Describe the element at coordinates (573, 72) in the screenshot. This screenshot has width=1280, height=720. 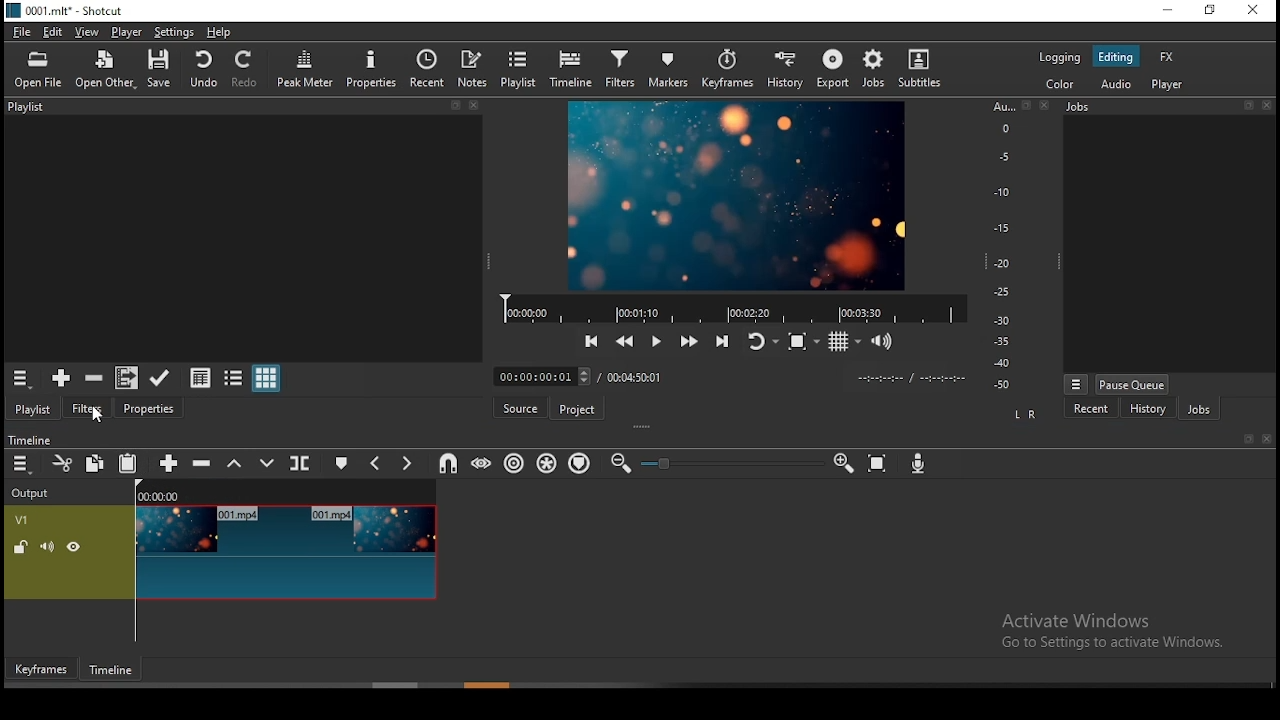
I see `timeline` at that location.